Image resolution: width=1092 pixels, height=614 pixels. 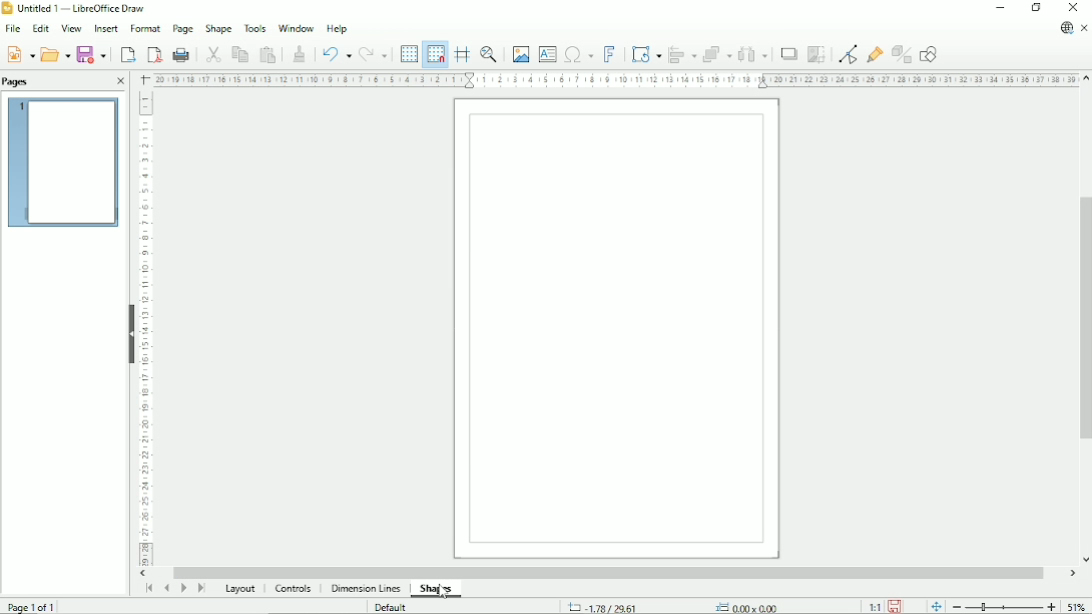 What do you see at coordinates (1064, 29) in the screenshot?
I see `Update available` at bounding box center [1064, 29].